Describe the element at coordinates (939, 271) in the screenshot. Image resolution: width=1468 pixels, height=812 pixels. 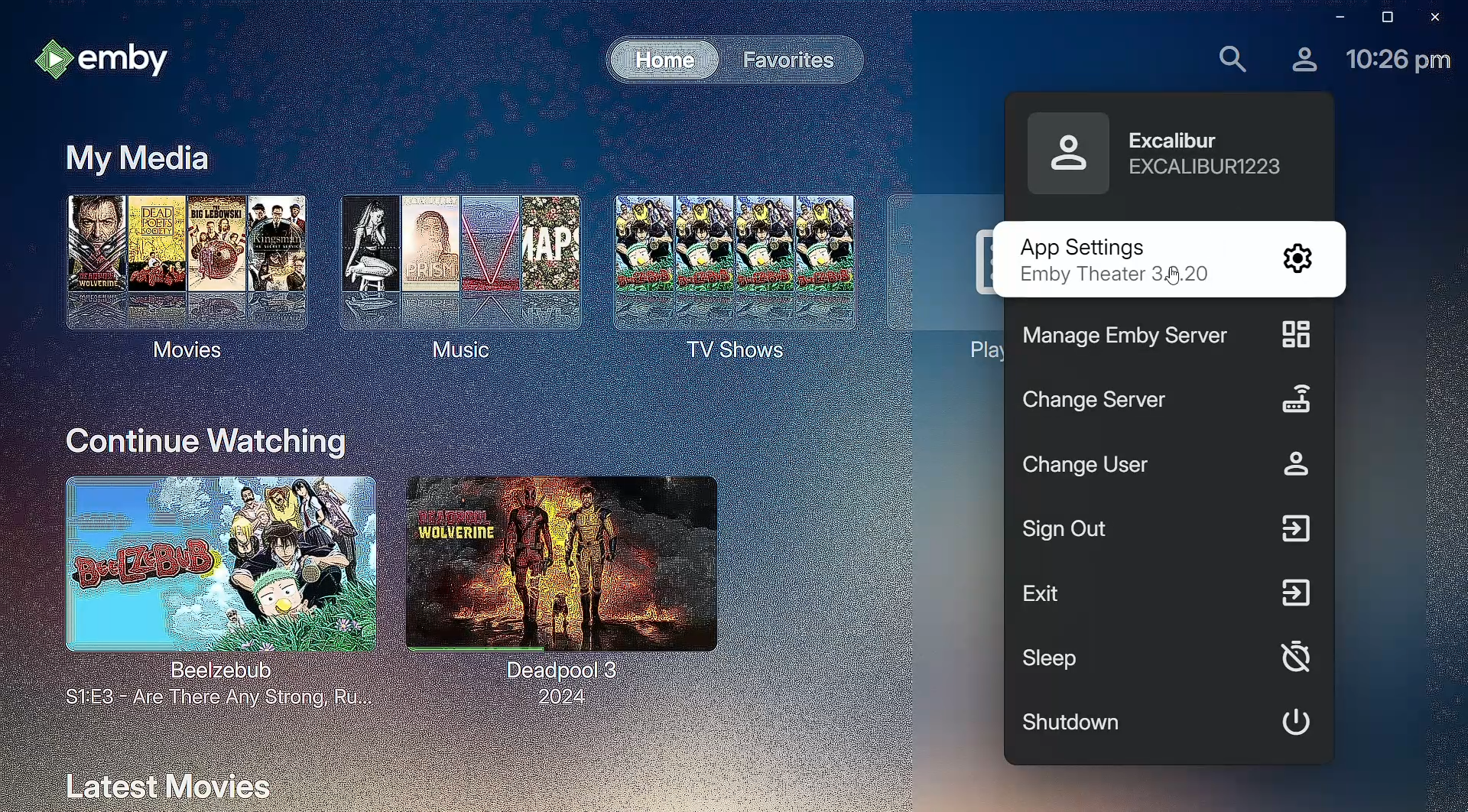
I see `Playlists` at that location.